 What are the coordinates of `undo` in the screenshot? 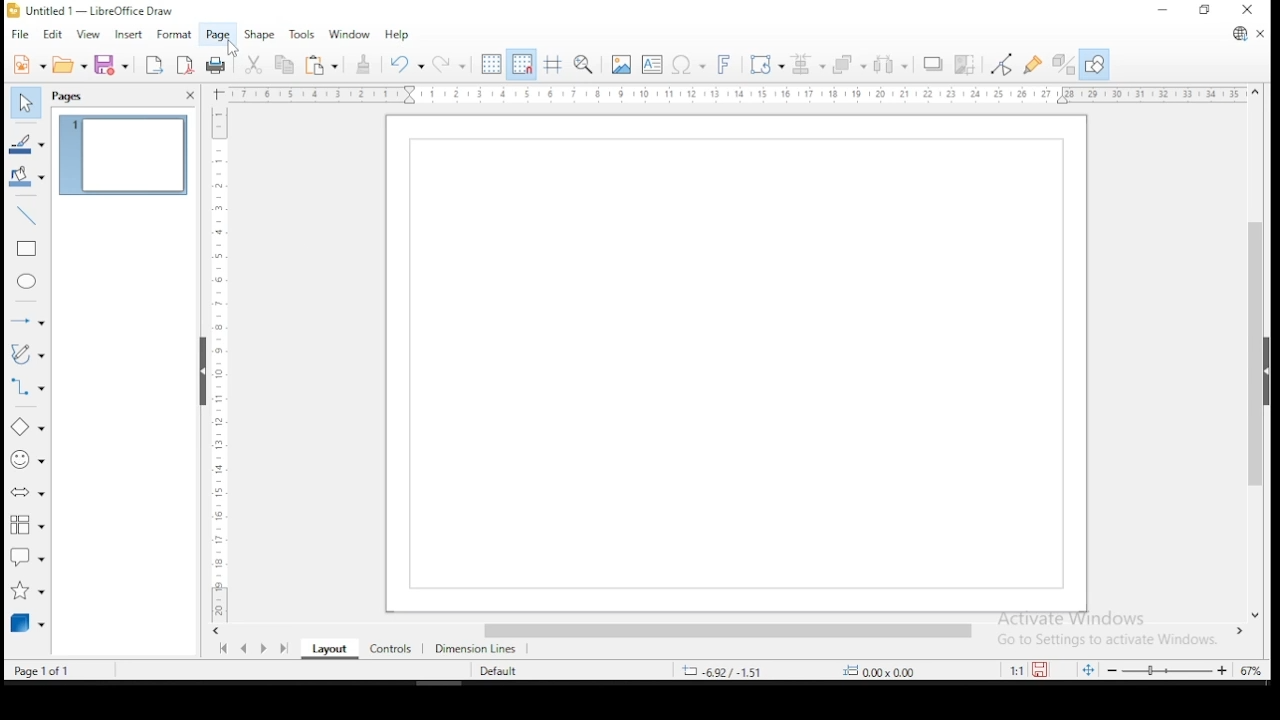 It's located at (408, 65).